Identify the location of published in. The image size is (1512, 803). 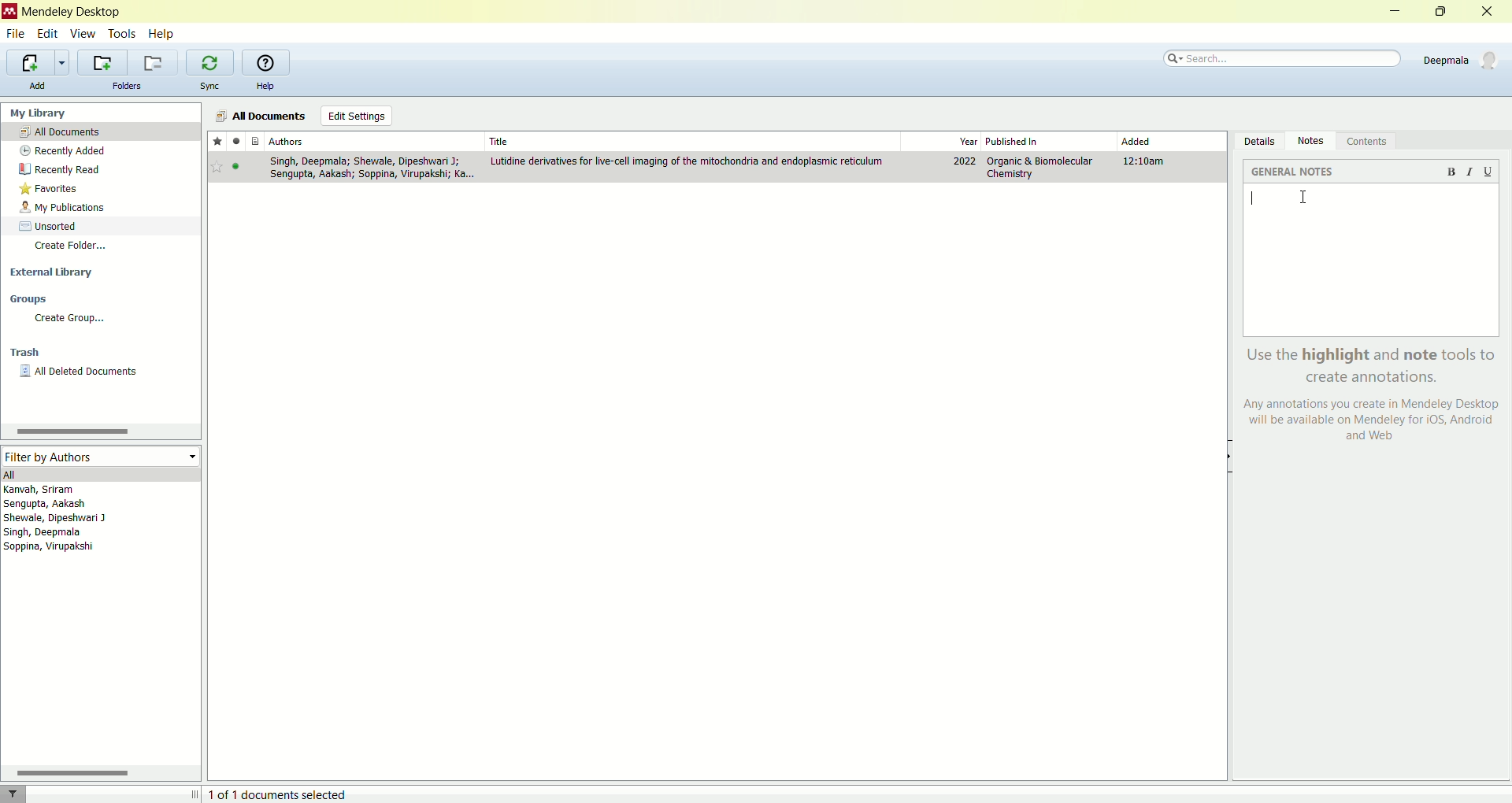
(1027, 140).